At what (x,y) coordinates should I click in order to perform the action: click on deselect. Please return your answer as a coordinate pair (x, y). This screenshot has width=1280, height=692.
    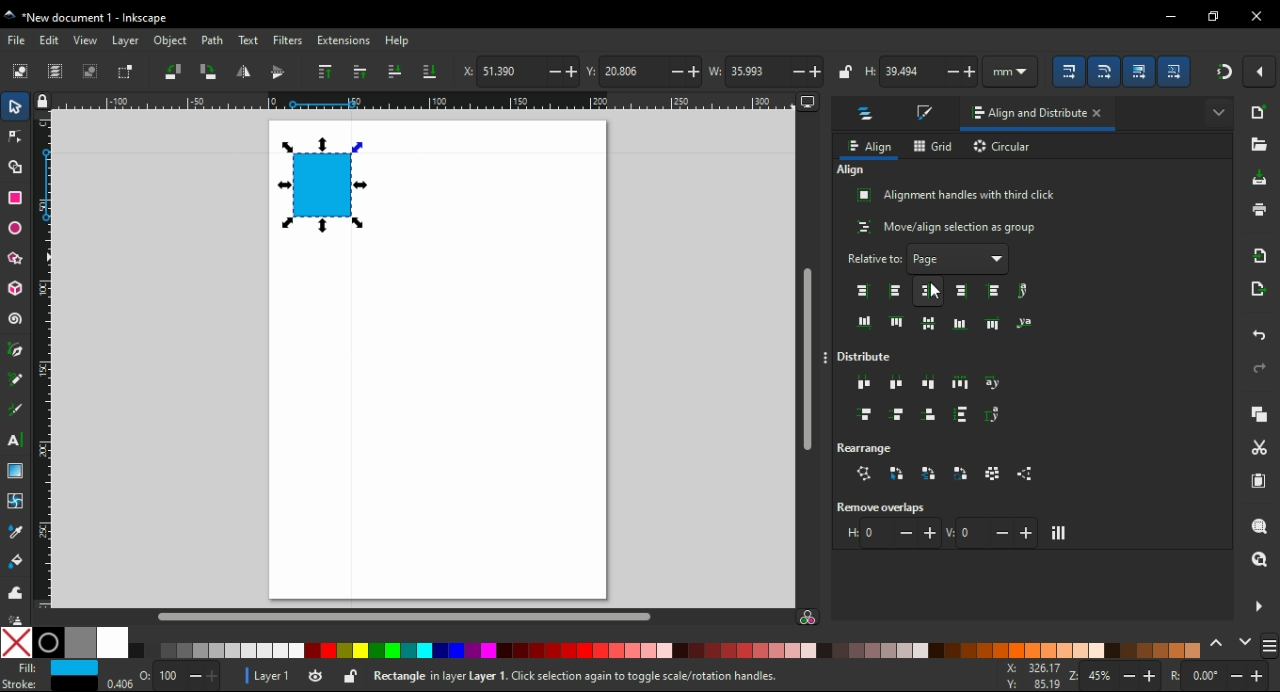
    Looking at the image, I should click on (93, 71).